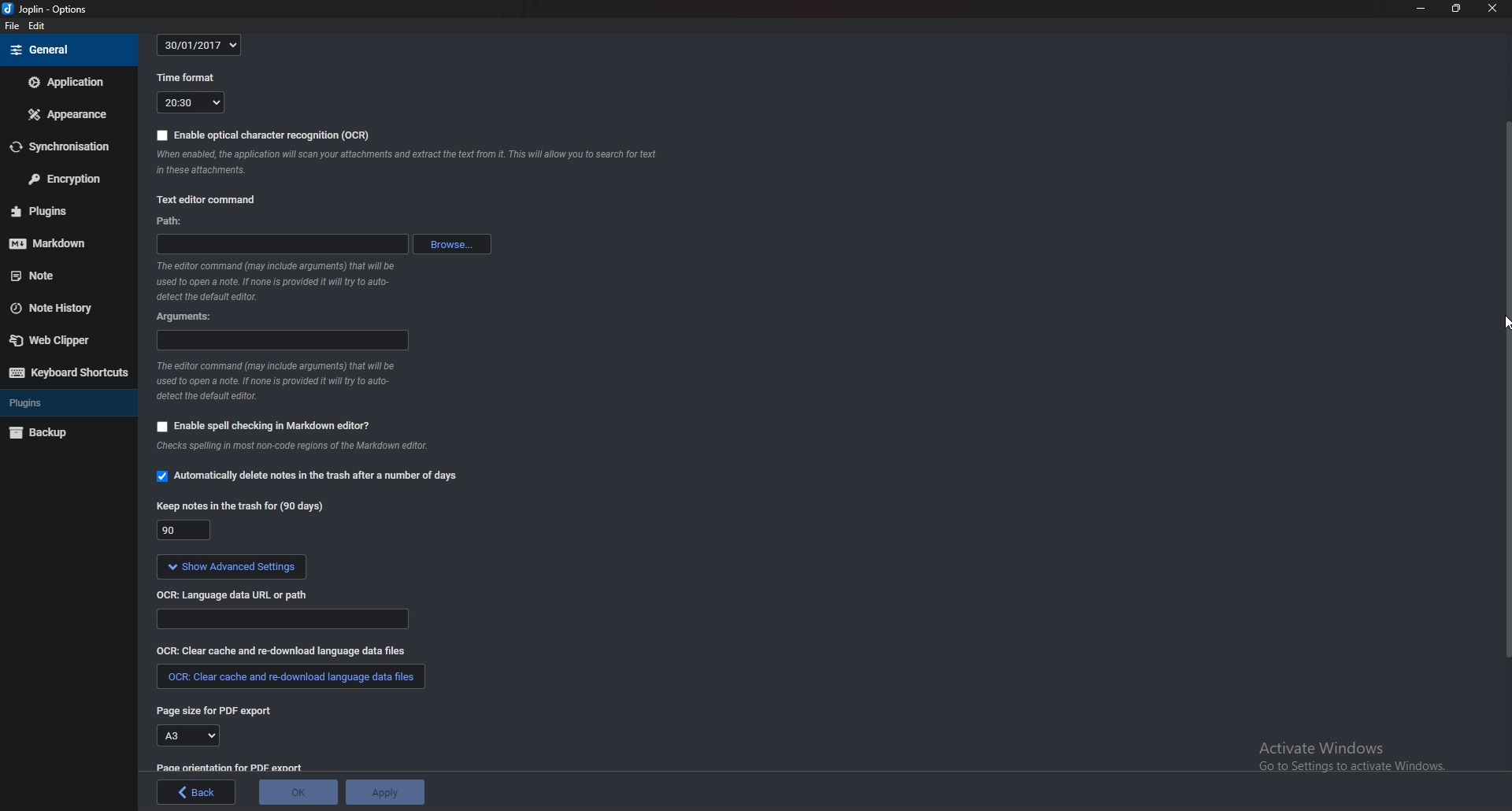  Describe the element at coordinates (1354, 751) in the screenshot. I see `activate windows` at that location.